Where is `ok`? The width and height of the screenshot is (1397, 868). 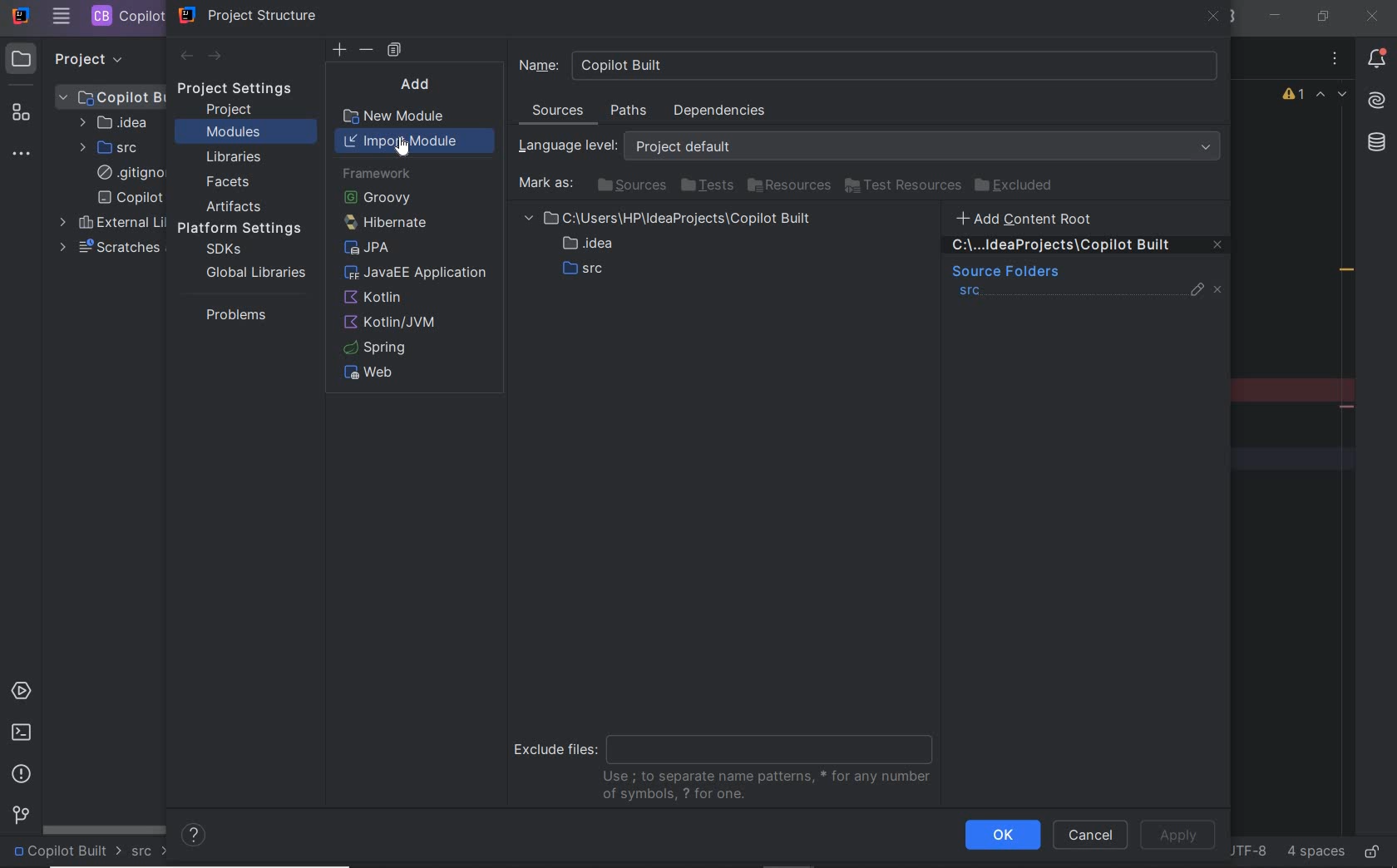
ok is located at coordinates (1002, 835).